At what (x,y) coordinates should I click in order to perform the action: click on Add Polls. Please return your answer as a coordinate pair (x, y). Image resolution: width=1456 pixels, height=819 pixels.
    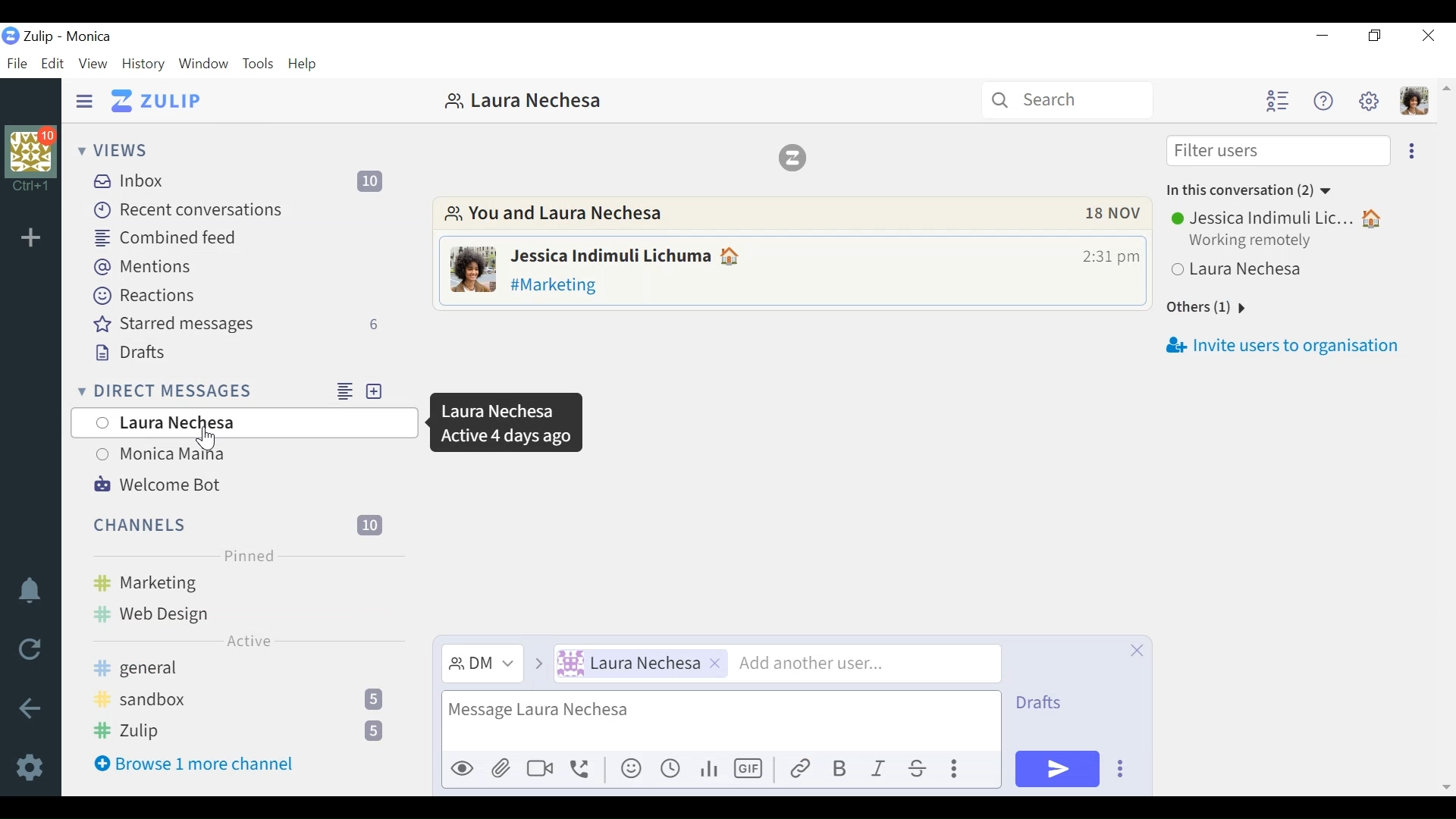
    Looking at the image, I should click on (713, 769).